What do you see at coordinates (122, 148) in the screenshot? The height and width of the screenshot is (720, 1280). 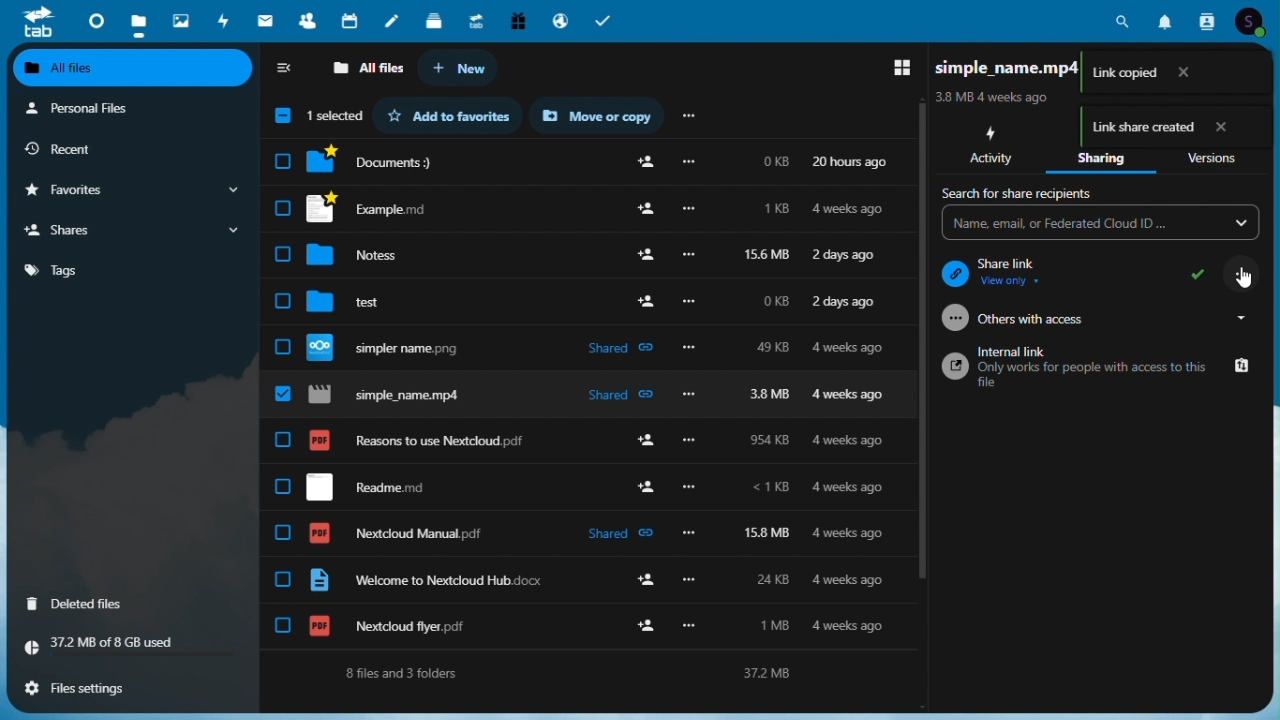 I see `recent` at bounding box center [122, 148].